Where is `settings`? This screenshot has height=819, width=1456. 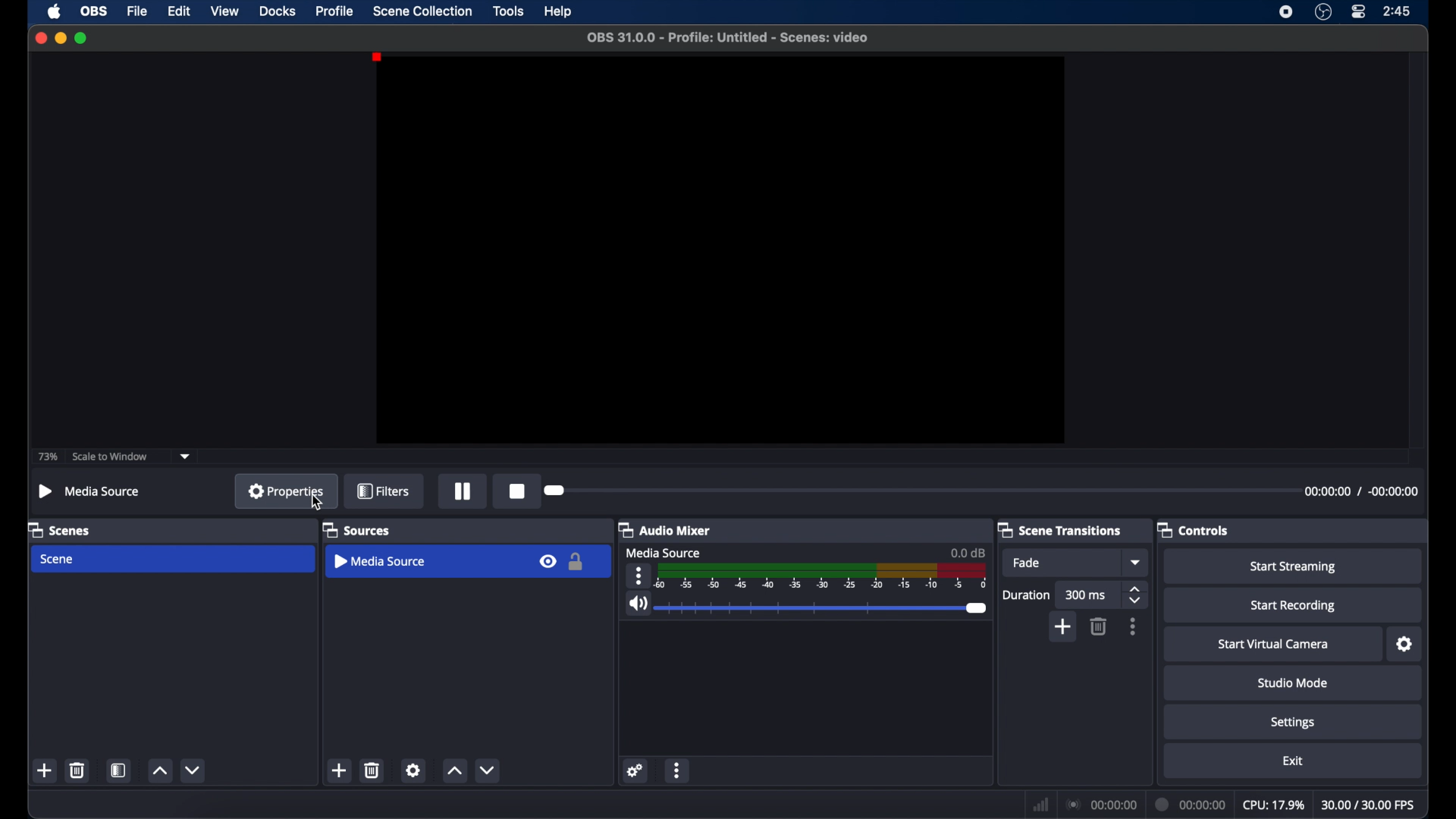 settings is located at coordinates (1405, 645).